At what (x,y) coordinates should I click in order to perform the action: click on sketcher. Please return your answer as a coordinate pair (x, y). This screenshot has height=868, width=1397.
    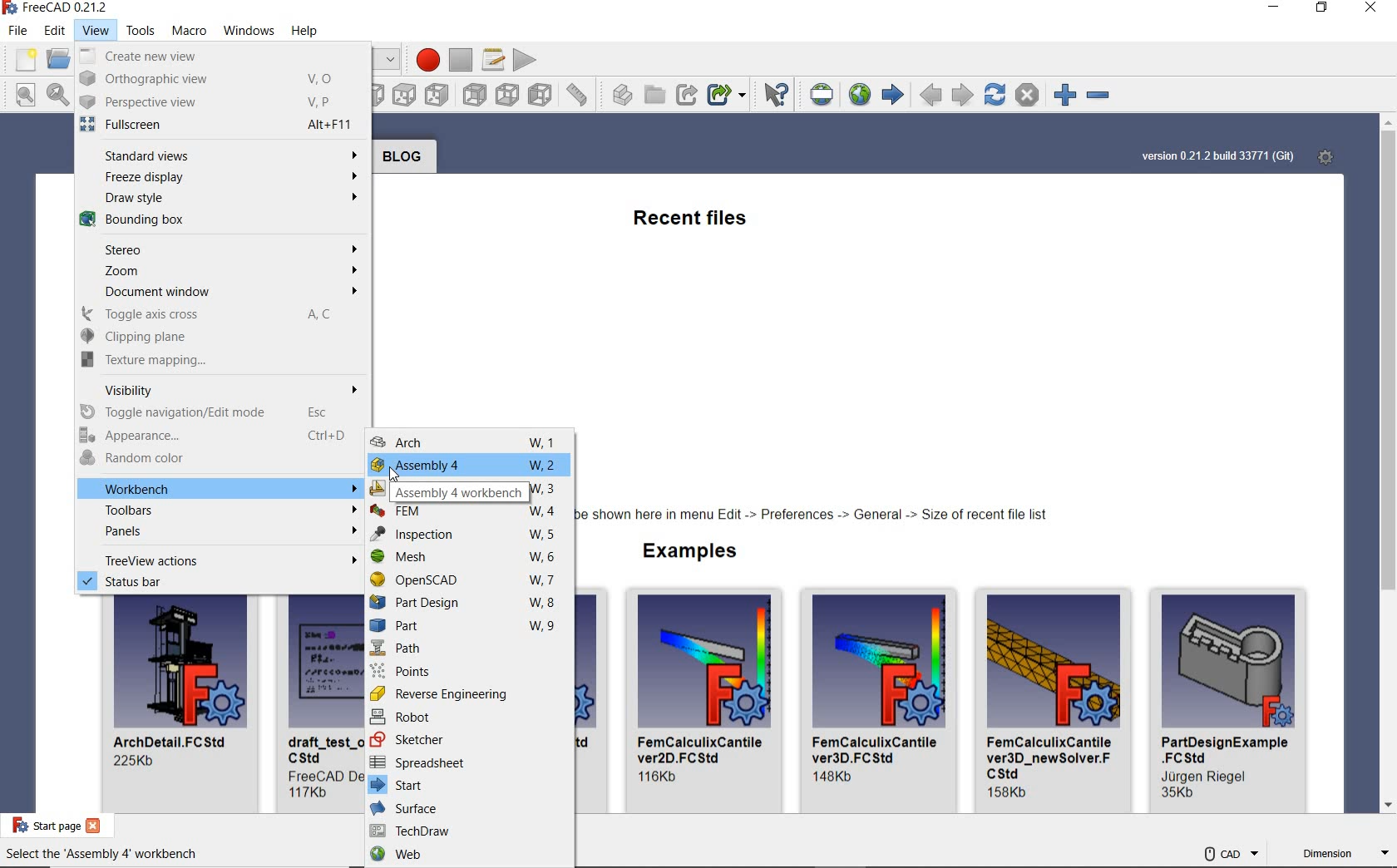
    Looking at the image, I should click on (470, 742).